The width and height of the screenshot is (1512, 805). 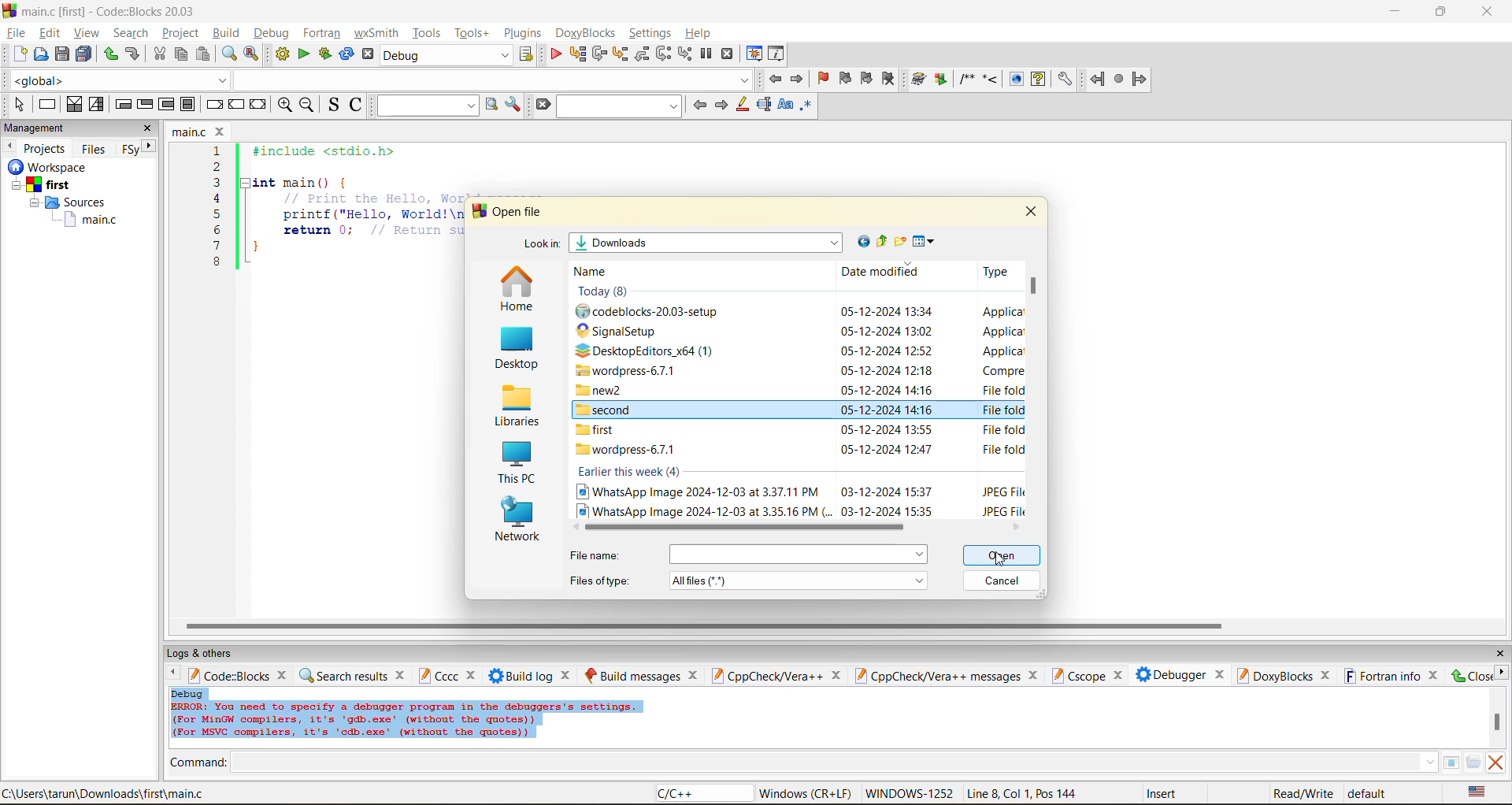 I want to click on copy, so click(x=182, y=54).